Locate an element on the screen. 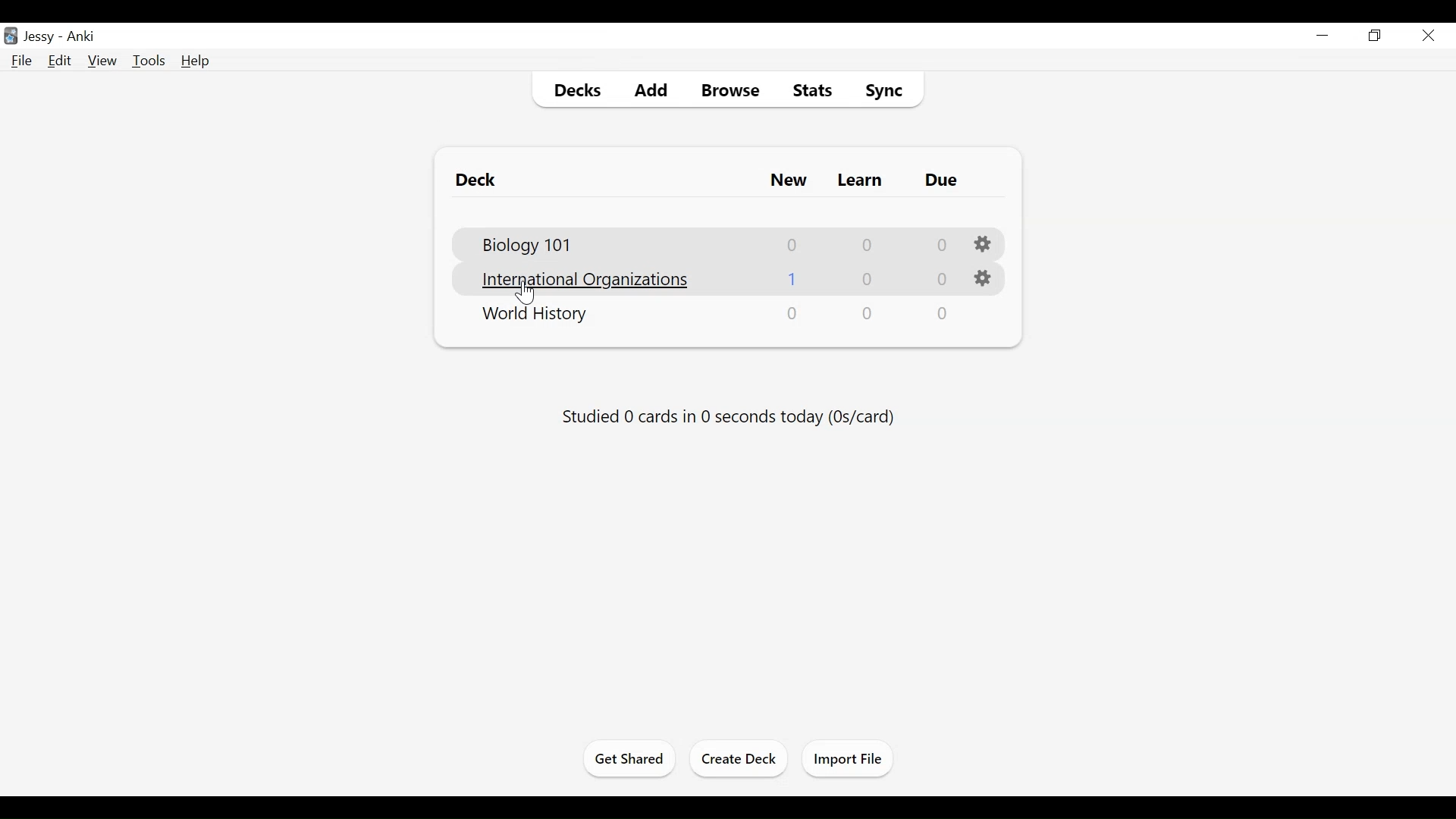  Create Deck is located at coordinates (735, 759).